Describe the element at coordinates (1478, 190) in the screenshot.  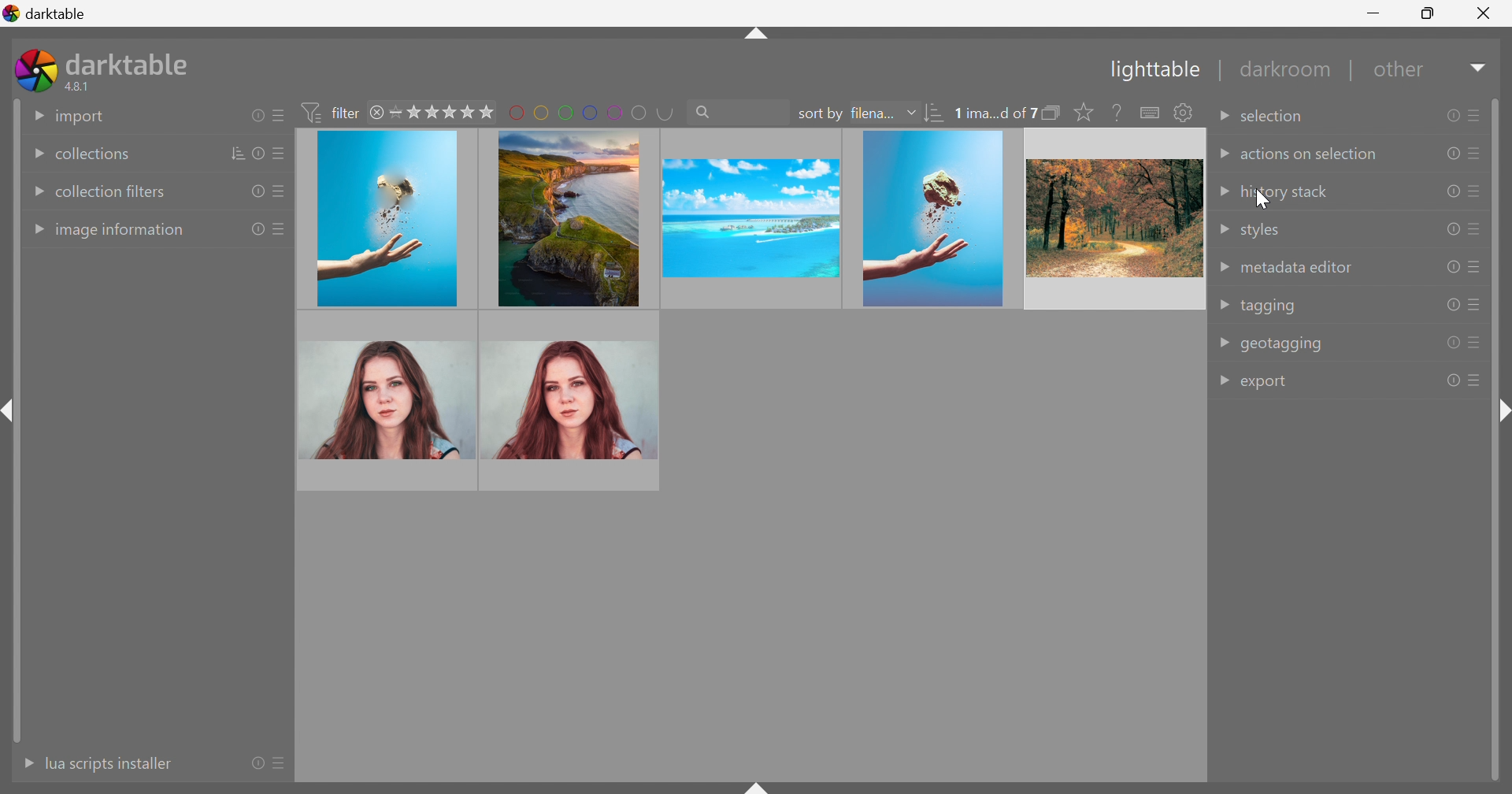
I see `presets` at that location.